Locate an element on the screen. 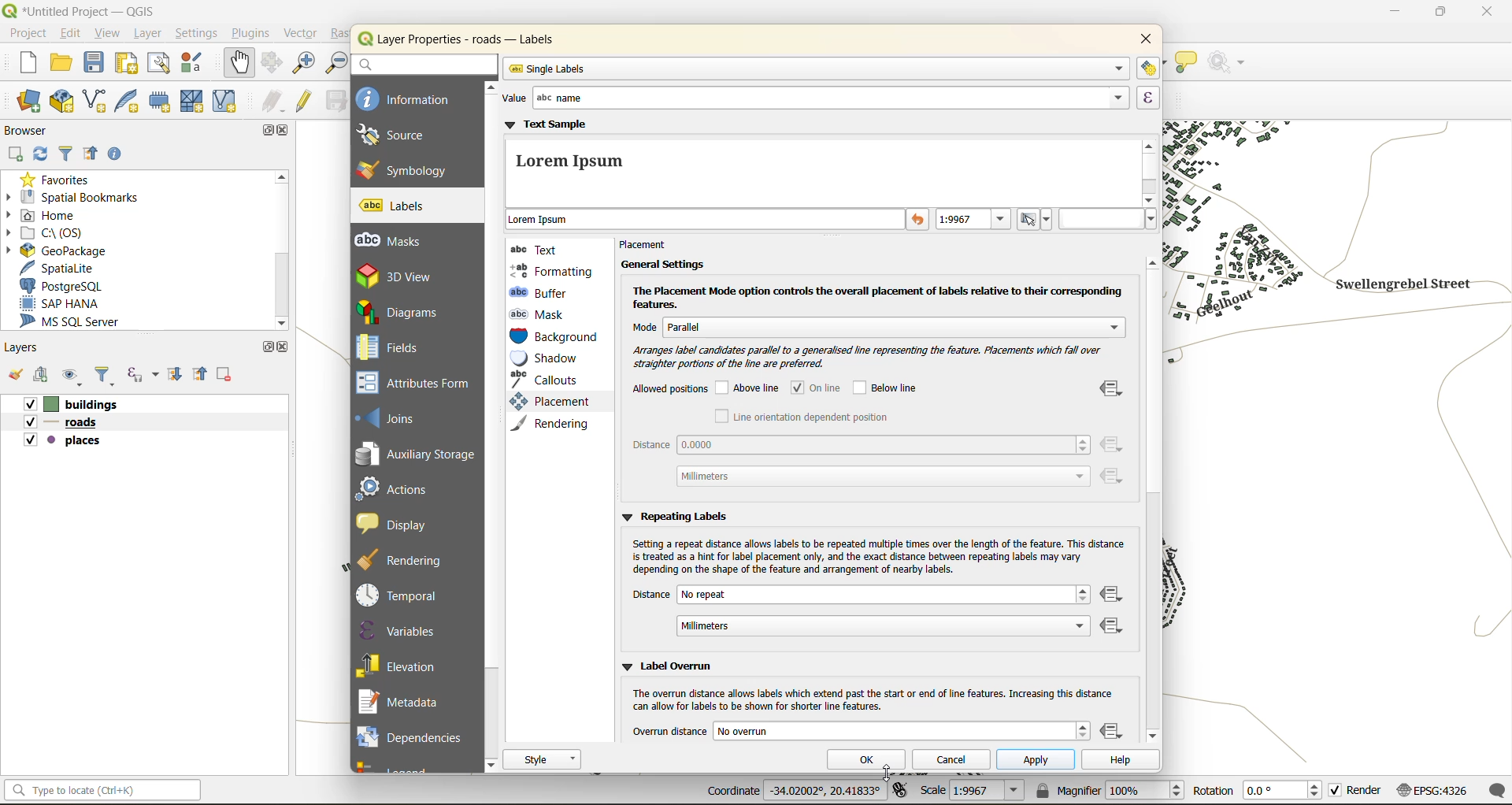 Image resolution: width=1512 pixels, height=805 pixels. fields is located at coordinates (389, 347).